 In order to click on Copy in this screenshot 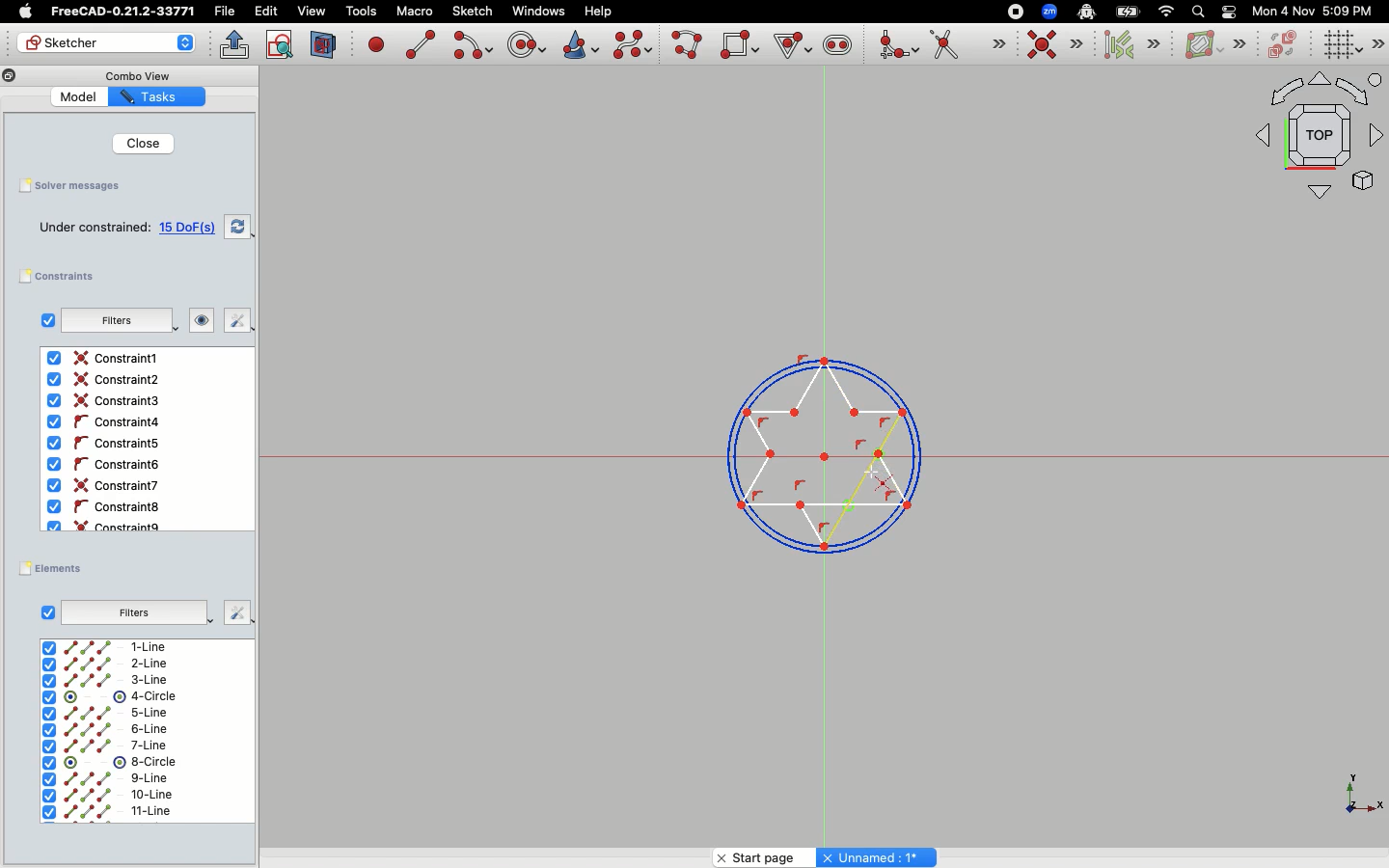, I will do `click(10, 78)`.